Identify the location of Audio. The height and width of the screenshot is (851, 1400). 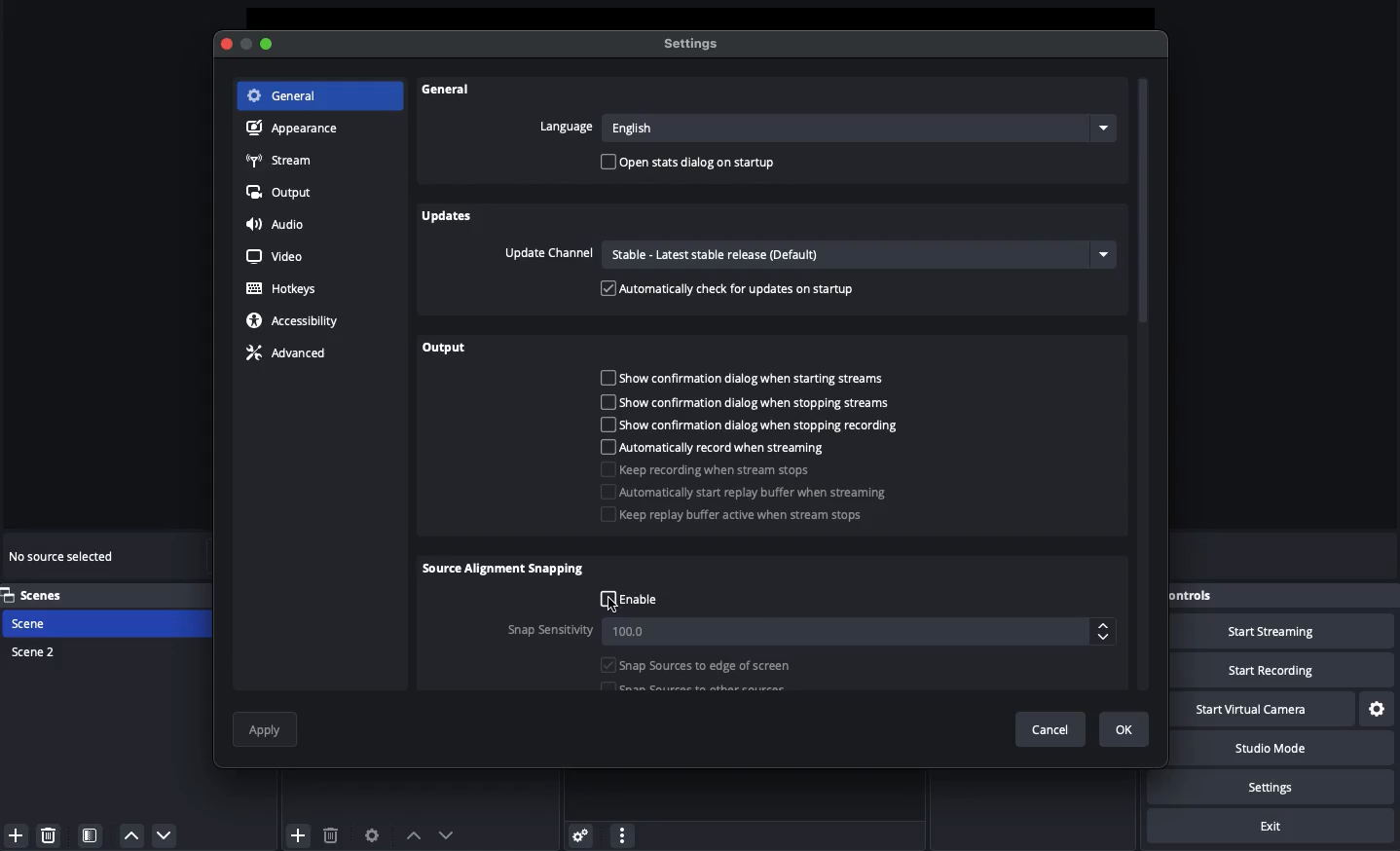
(282, 226).